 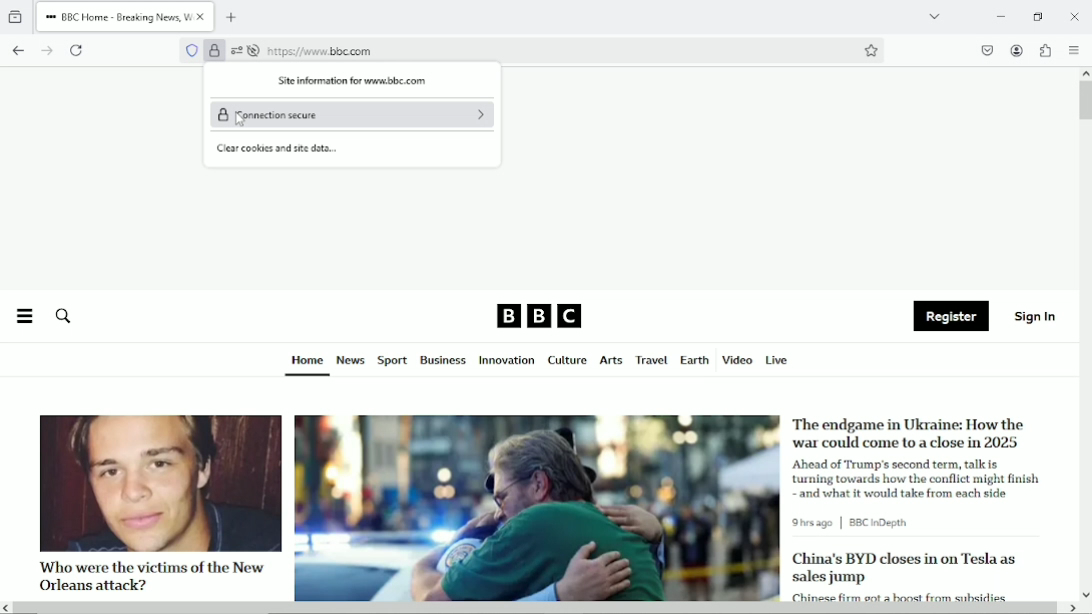 I want to click on Bookmark this page, so click(x=870, y=50).